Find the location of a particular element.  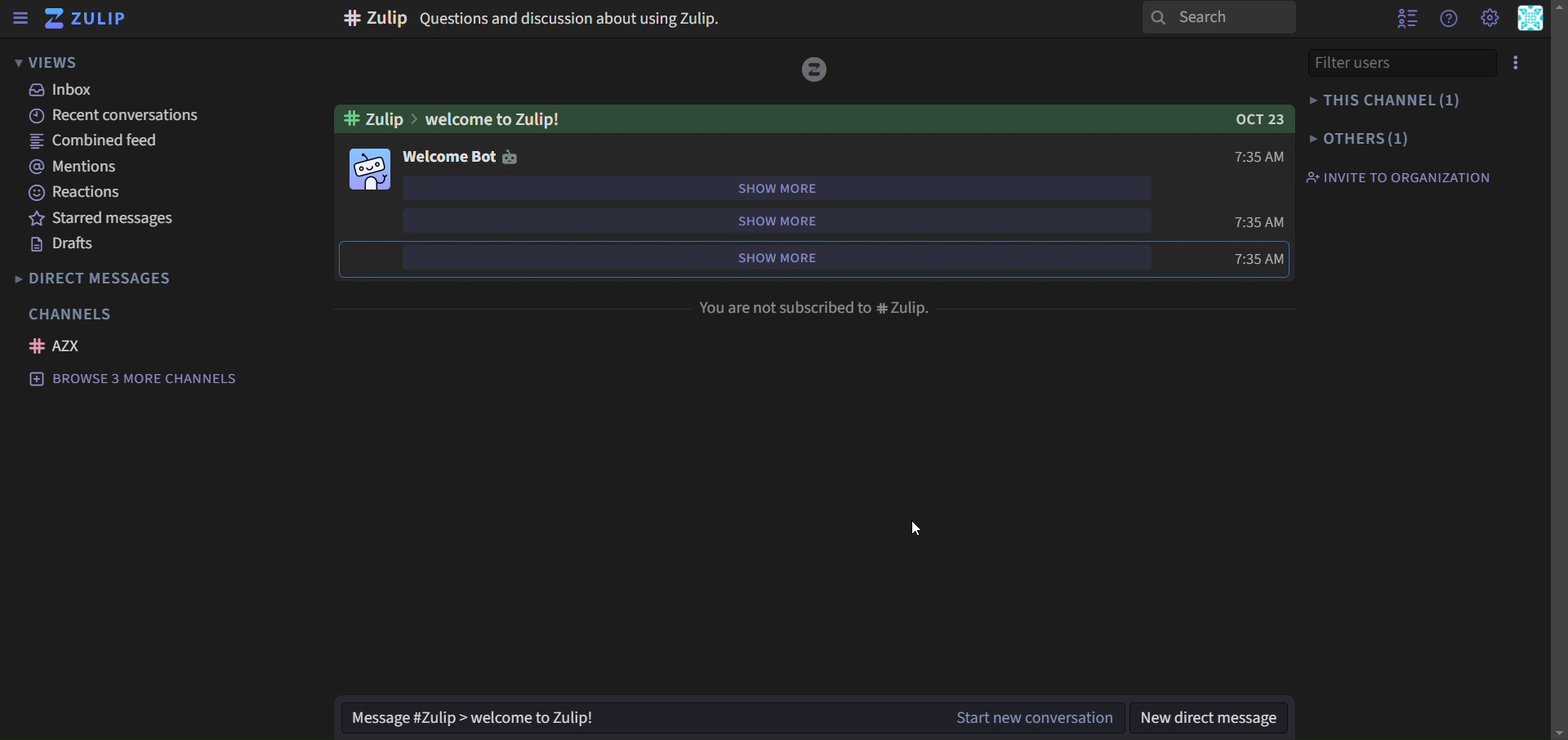

icon is located at coordinates (814, 68).